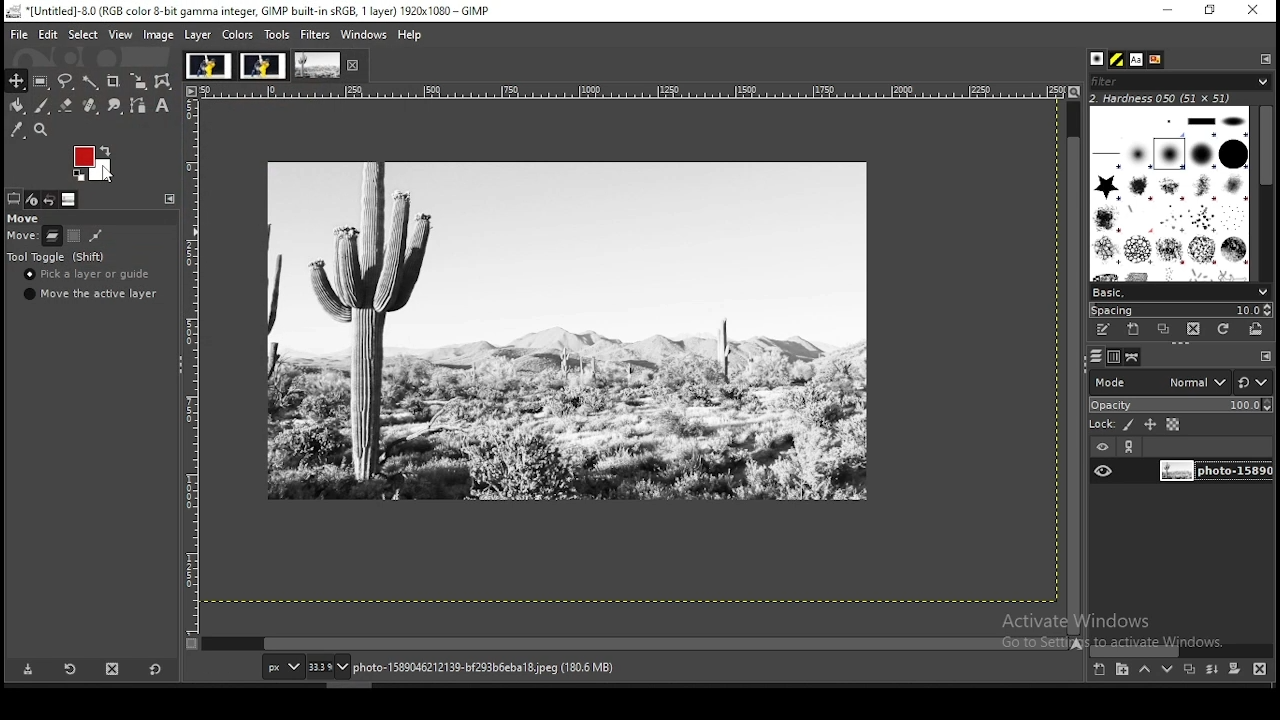 The image size is (1280, 720). I want to click on paint brush tool, so click(43, 106).